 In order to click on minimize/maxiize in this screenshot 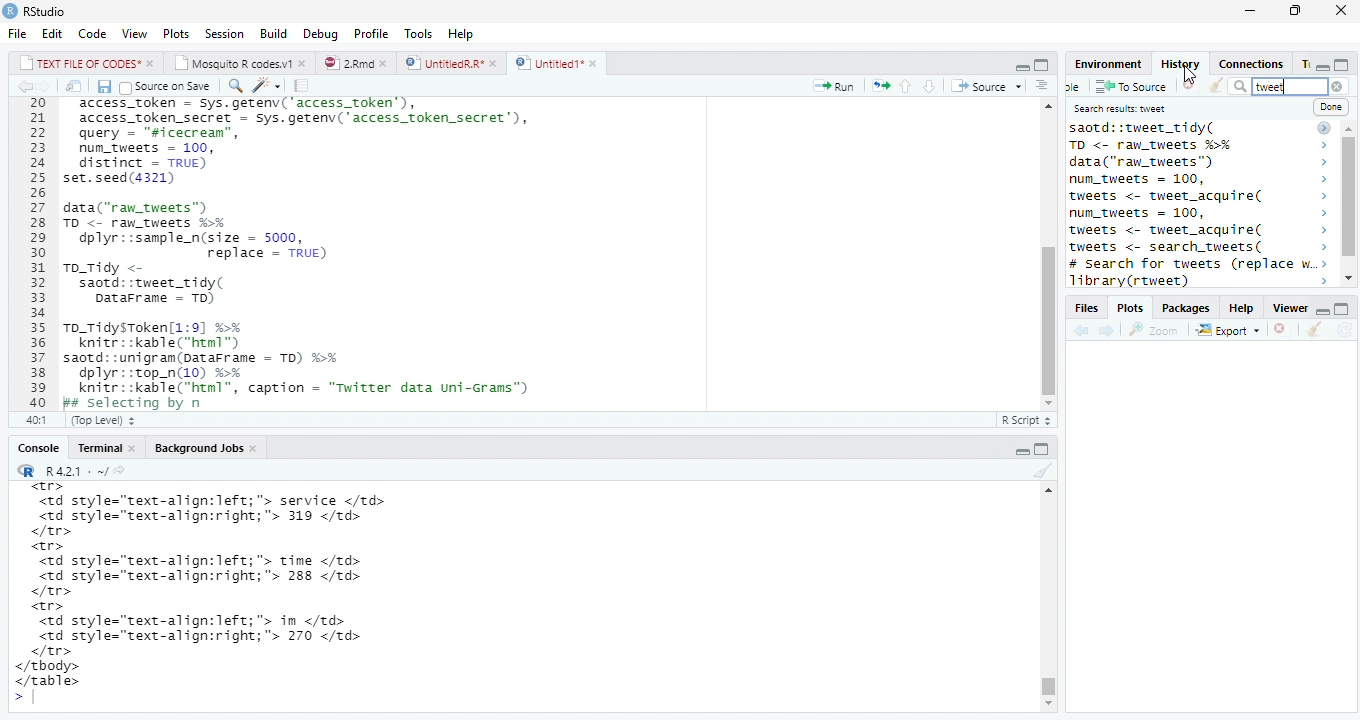, I will do `click(1034, 447)`.